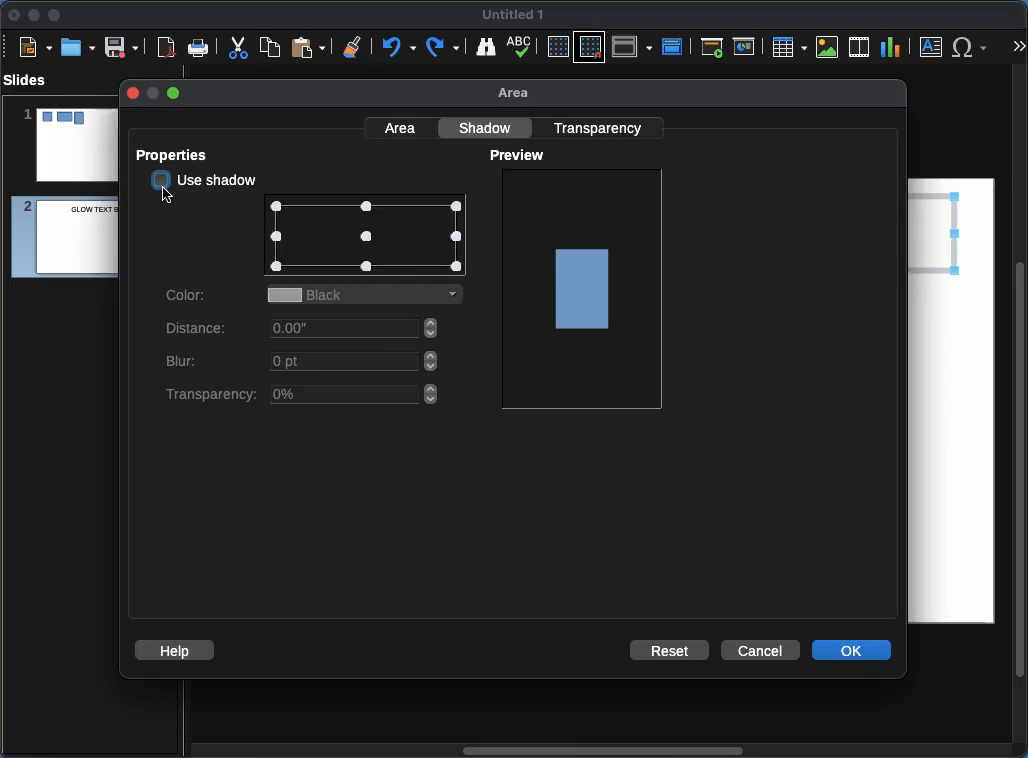 The width and height of the screenshot is (1028, 758). I want to click on Help, so click(175, 649).